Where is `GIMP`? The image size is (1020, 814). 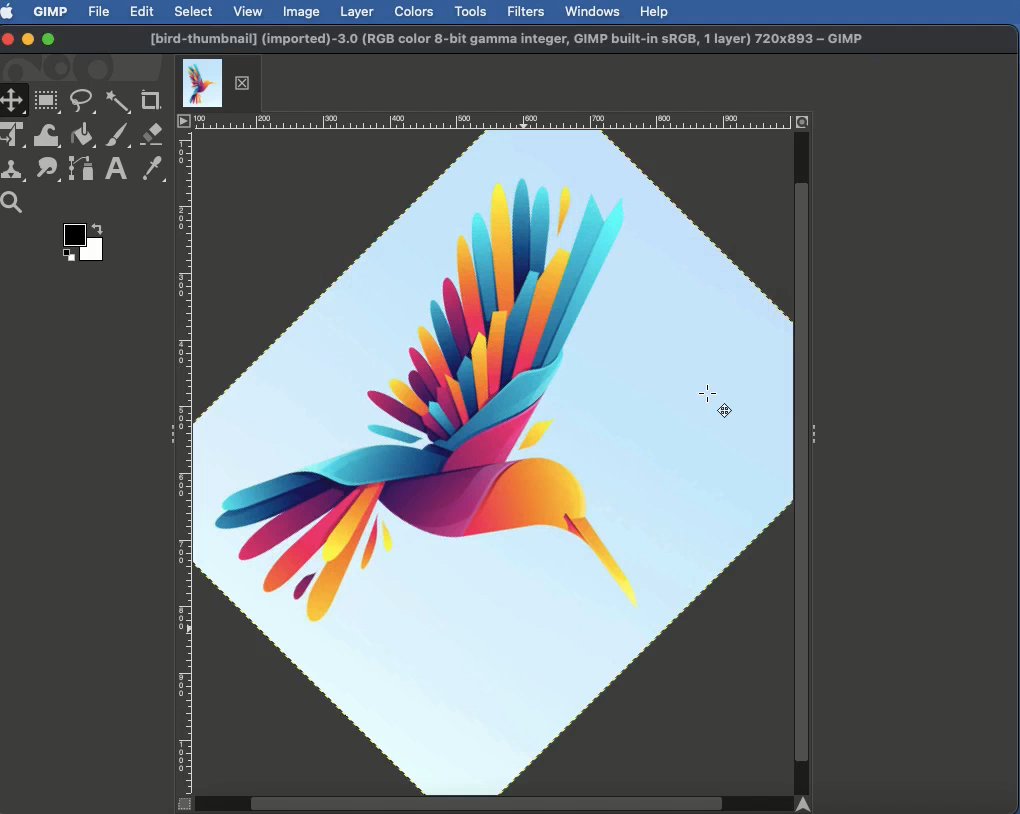 GIMP is located at coordinates (49, 11).